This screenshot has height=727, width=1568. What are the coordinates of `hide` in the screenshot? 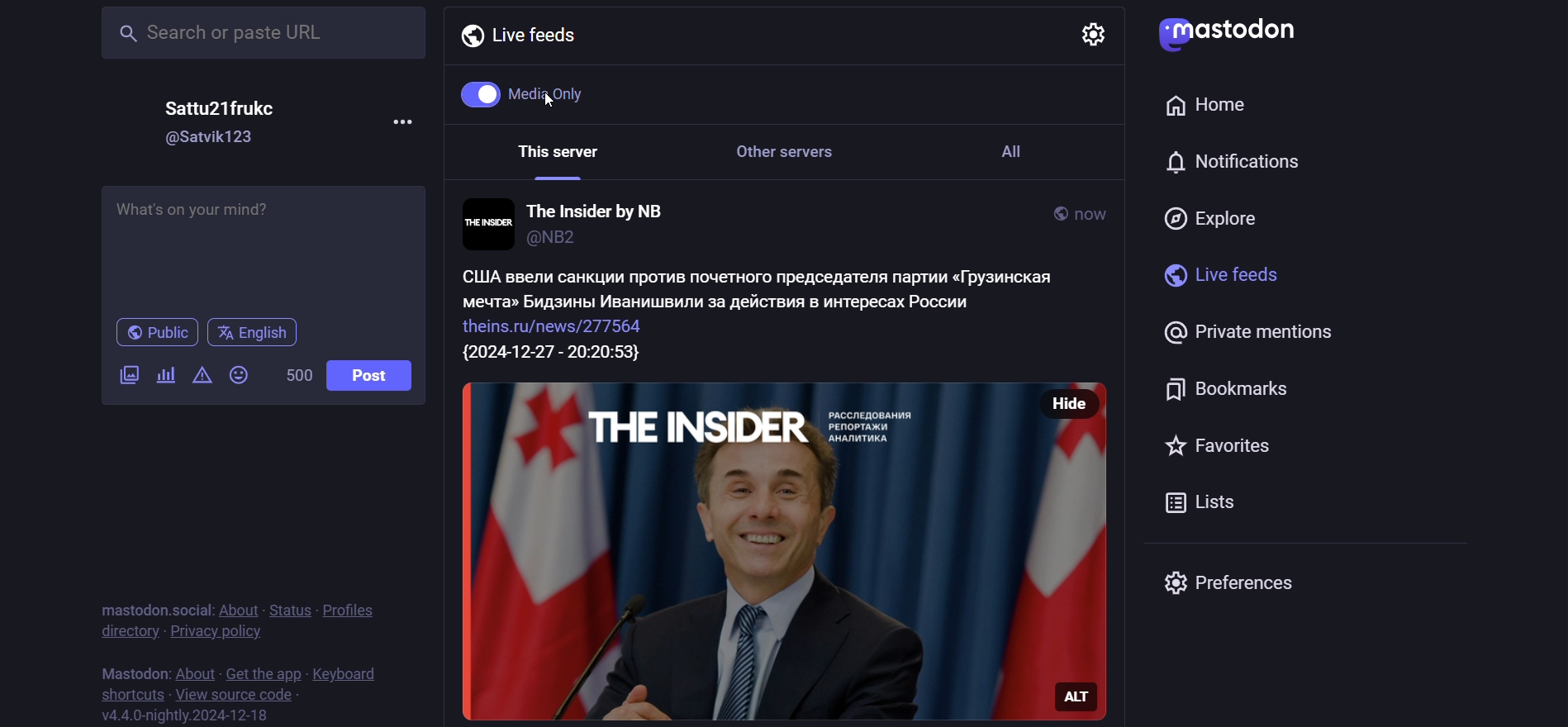 It's located at (1084, 402).